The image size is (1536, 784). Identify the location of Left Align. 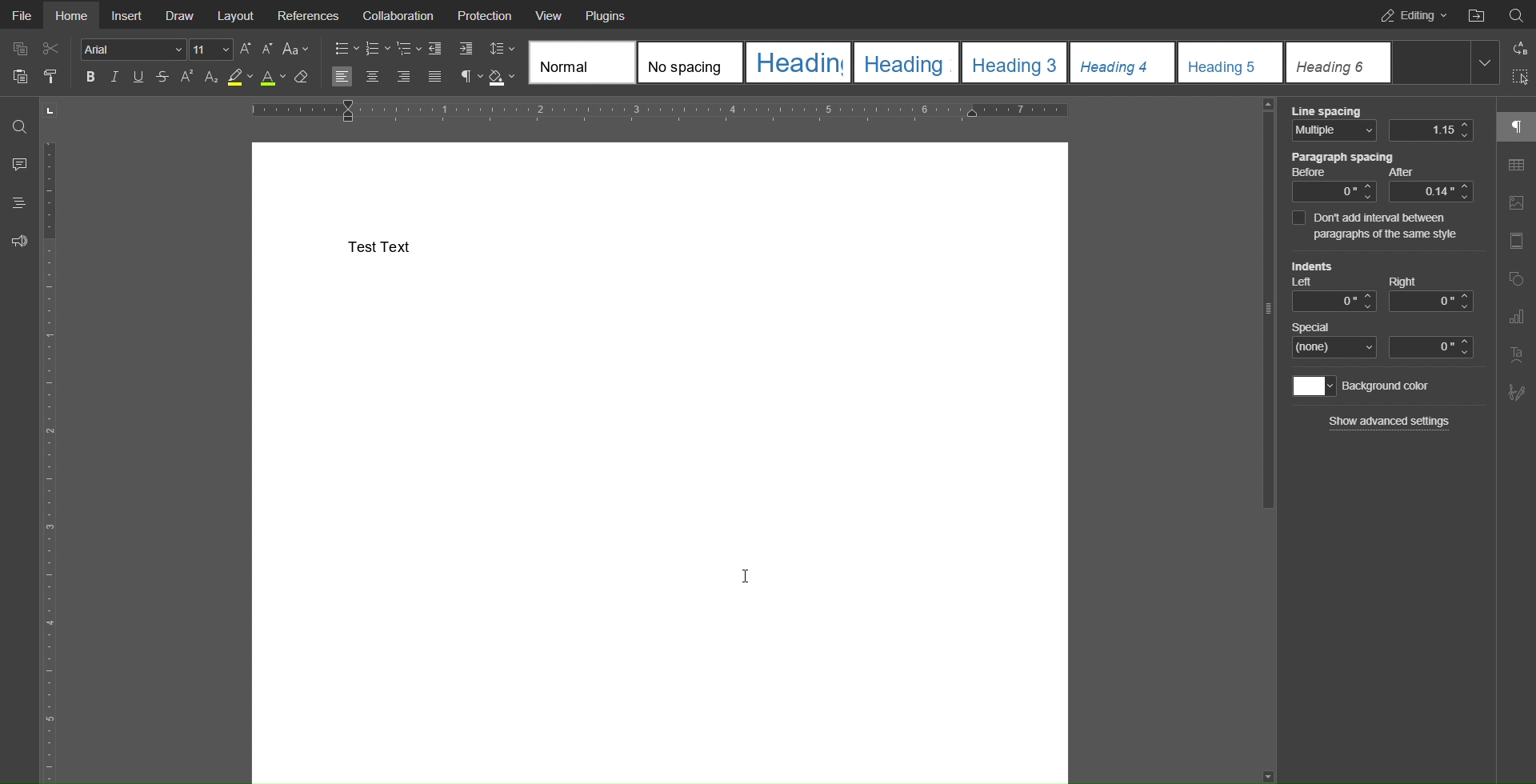
(342, 78).